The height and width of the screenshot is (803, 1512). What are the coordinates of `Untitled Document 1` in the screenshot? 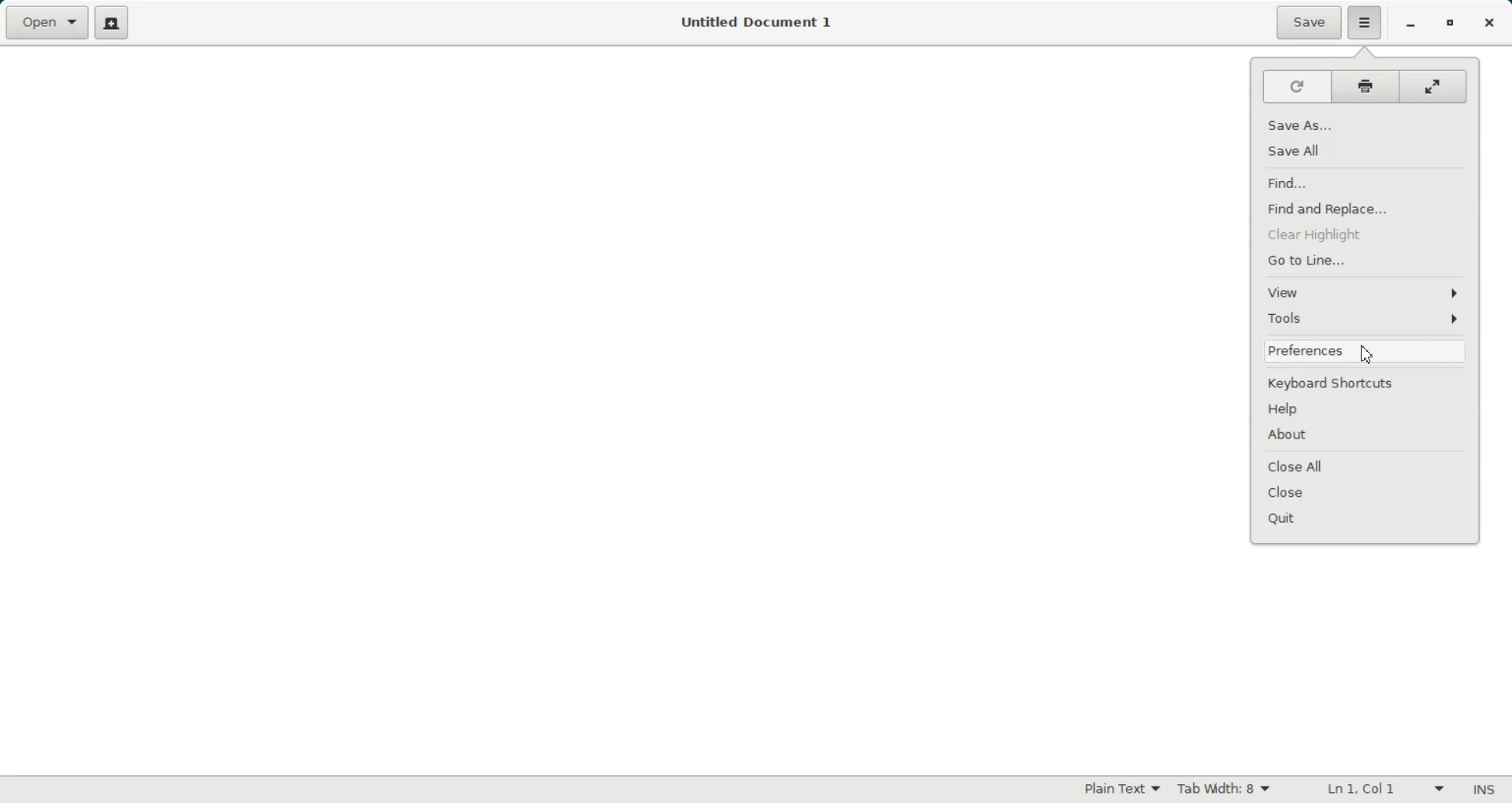 It's located at (758, 24).